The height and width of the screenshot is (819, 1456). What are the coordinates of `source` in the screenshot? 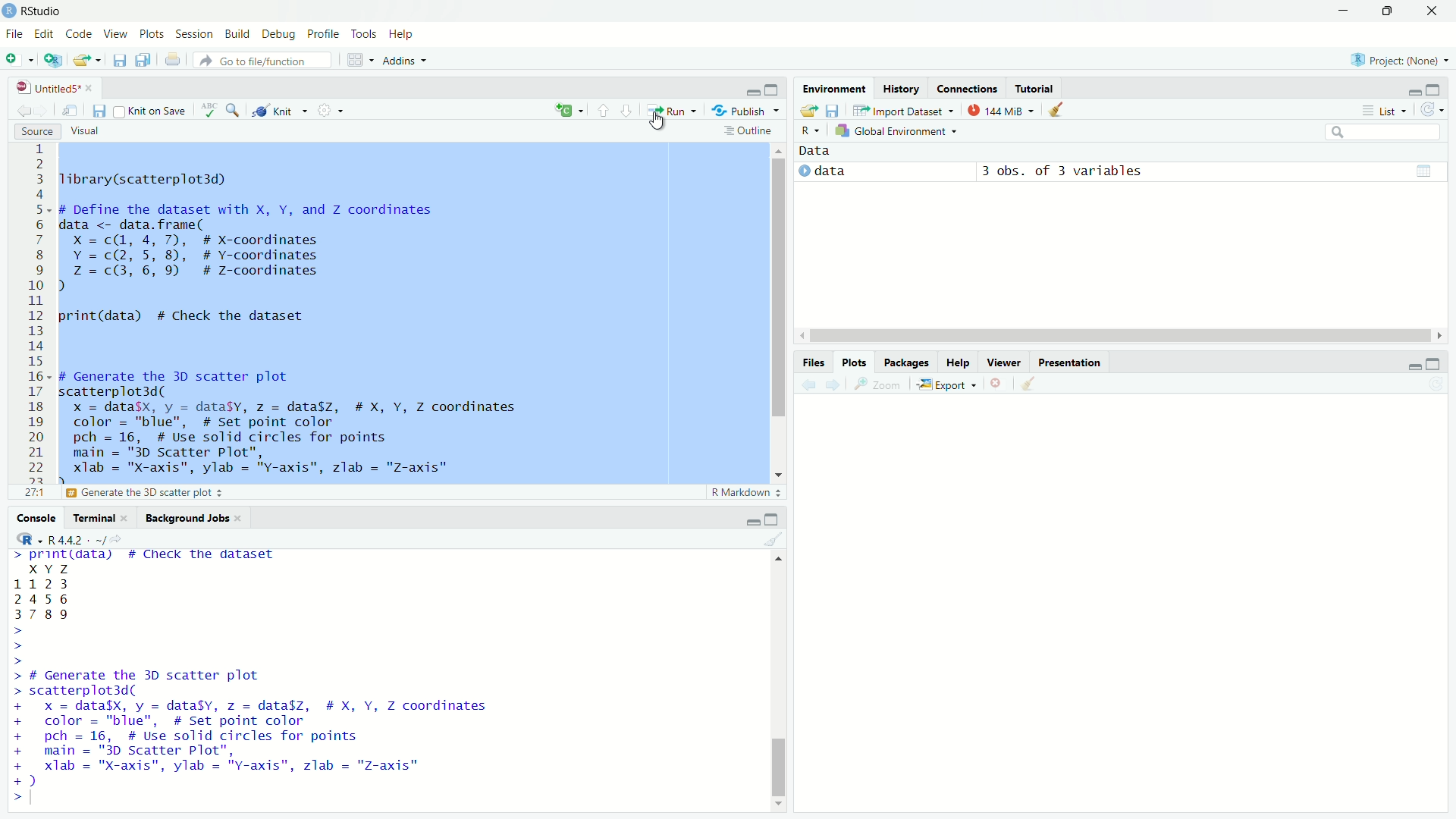 It's located at (29, 133).